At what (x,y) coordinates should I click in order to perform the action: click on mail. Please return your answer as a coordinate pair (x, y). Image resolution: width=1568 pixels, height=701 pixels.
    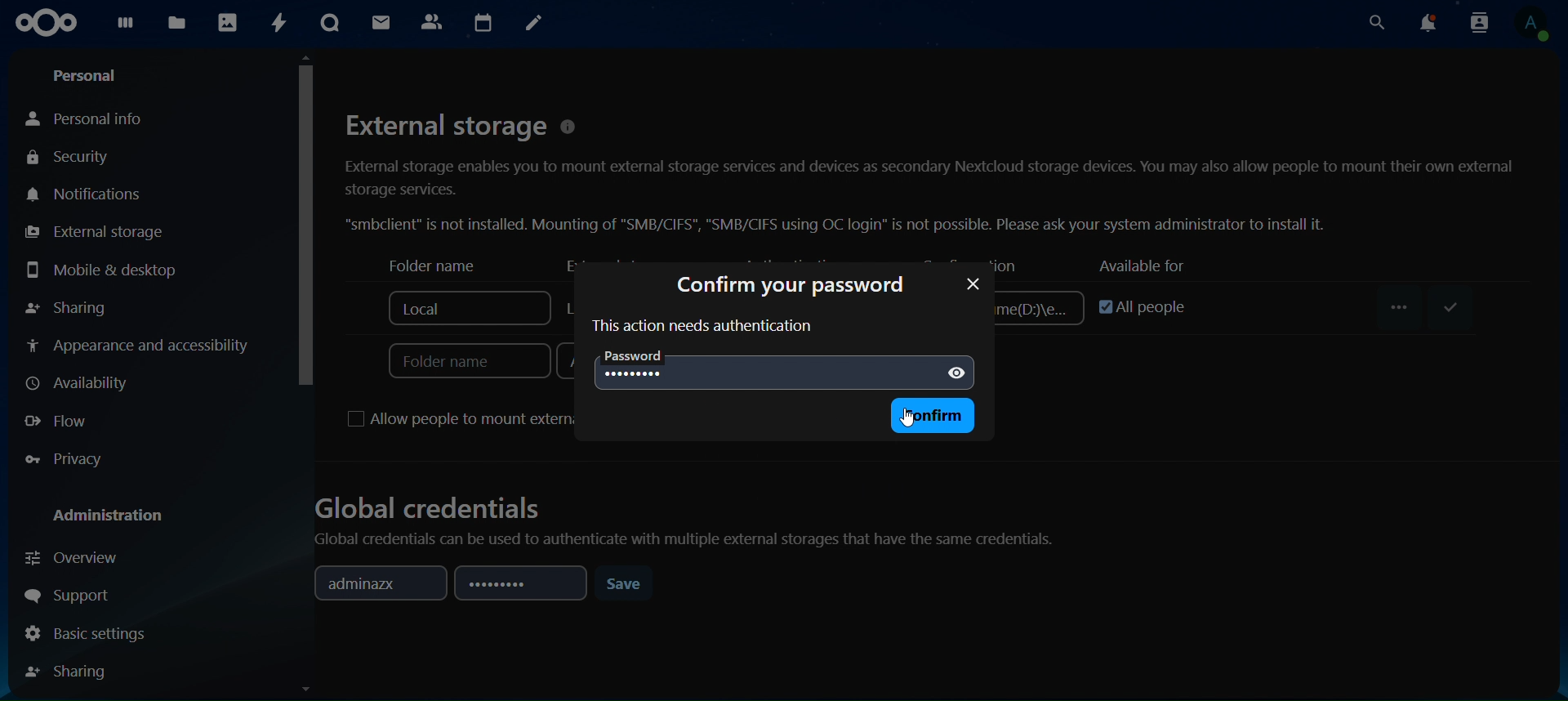
    Looking at the image, I should click on (381, 24).